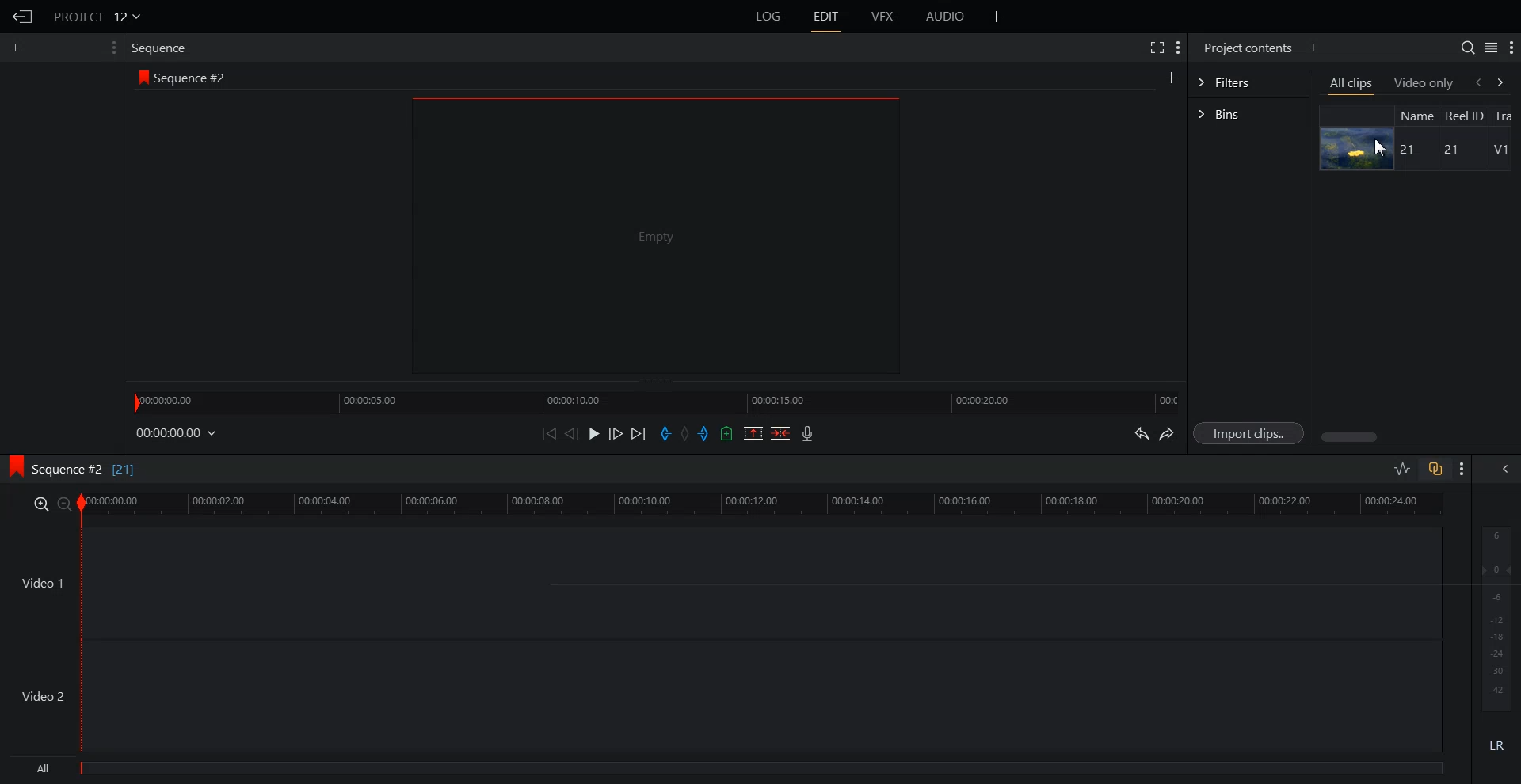  Describe the element at coordinates (1424, 83) in the screenshot. I see `Video only` at that location.